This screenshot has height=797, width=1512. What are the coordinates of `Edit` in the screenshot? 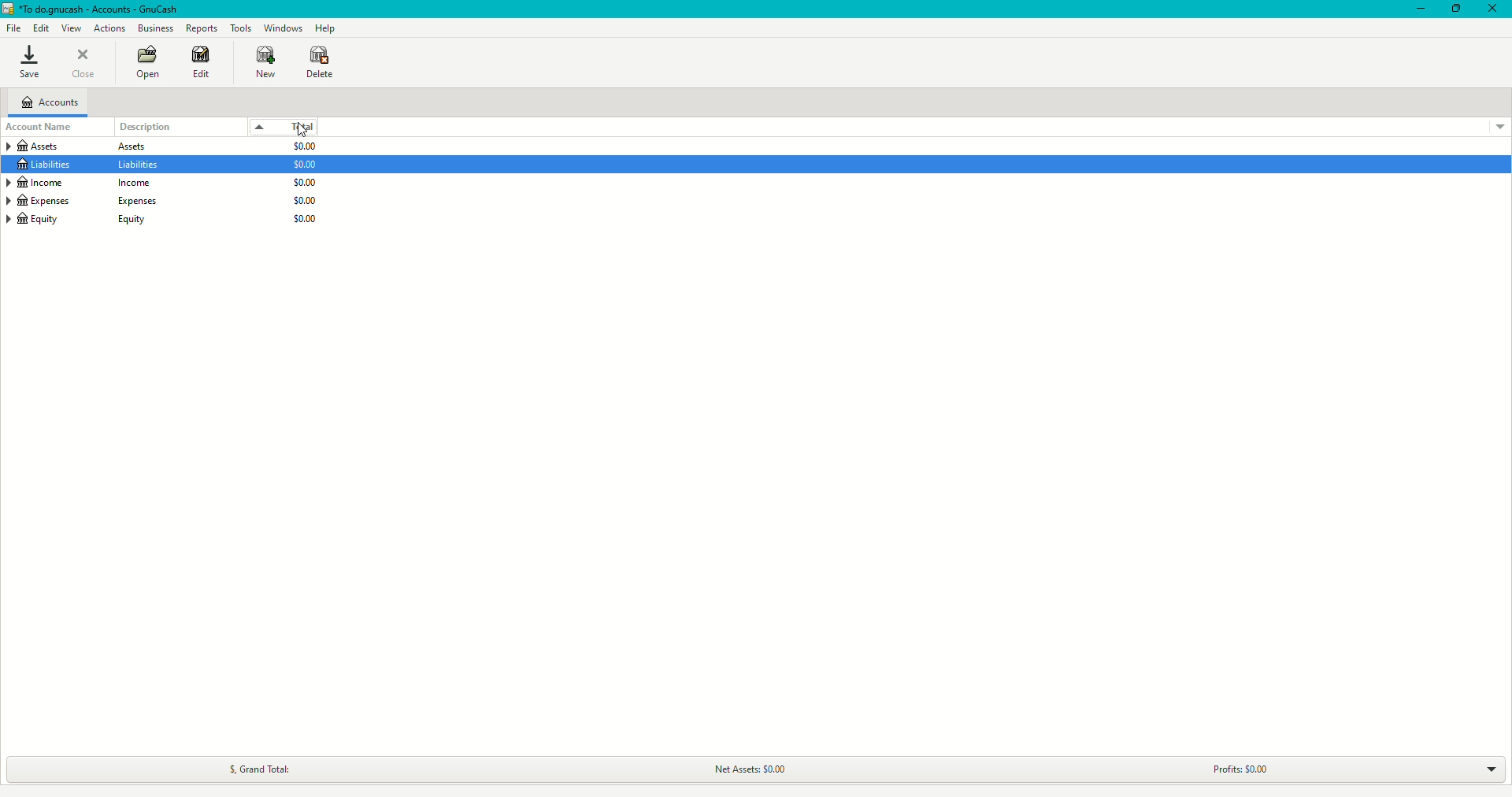 It's located at (42, 28).